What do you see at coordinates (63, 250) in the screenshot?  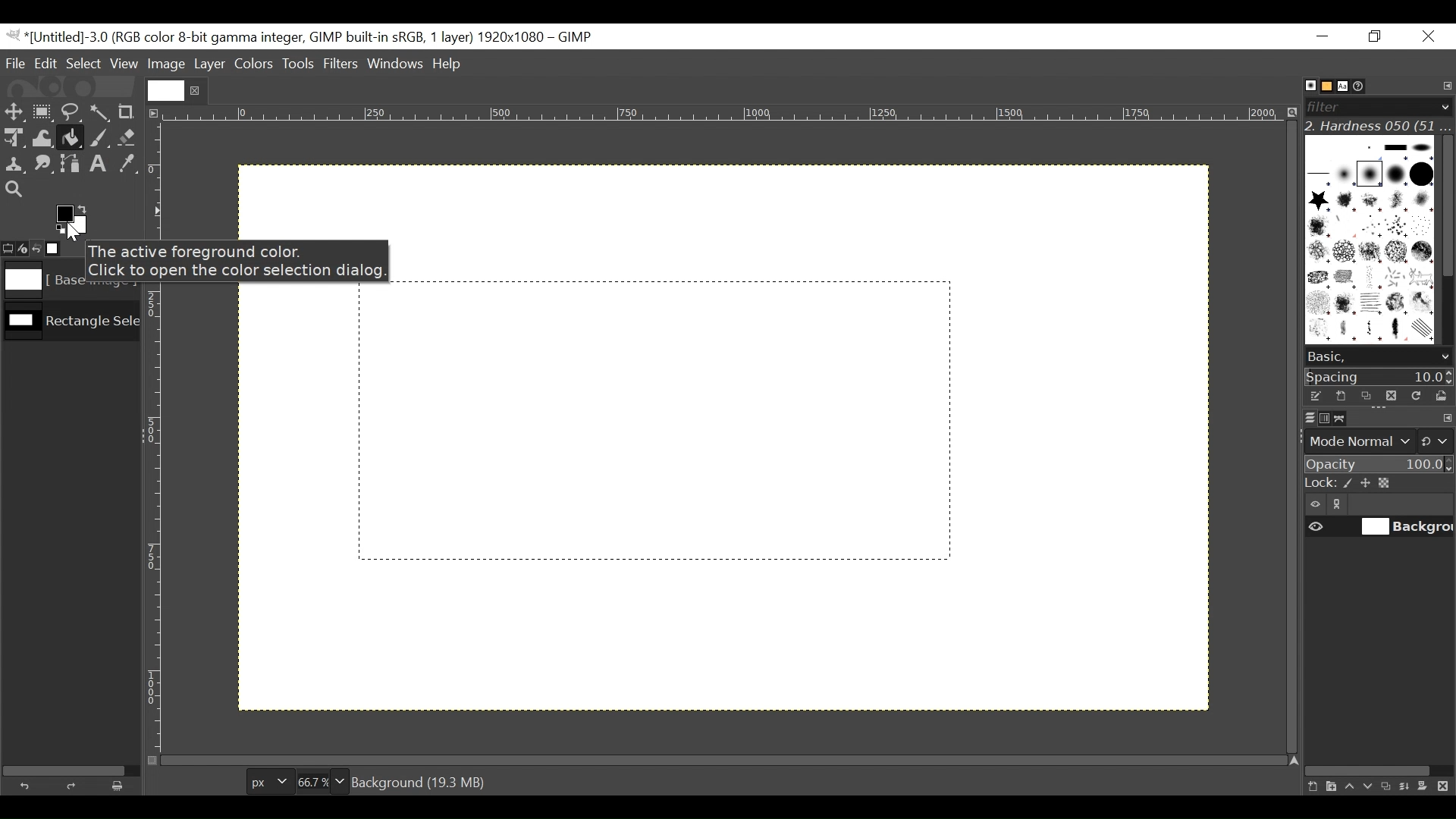 I see `Images` at bounding box center [63, 250].